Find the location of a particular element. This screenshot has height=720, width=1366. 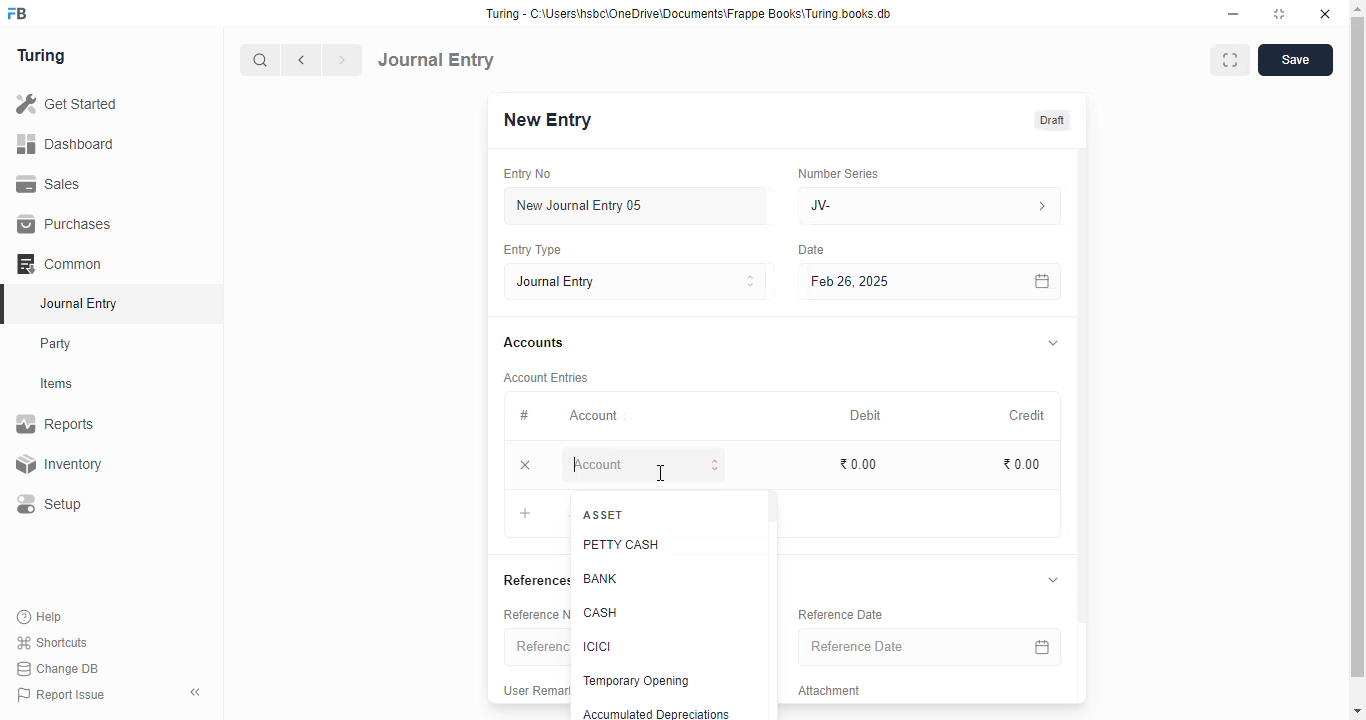

calendar icon is located at coordinates (1040, 281).